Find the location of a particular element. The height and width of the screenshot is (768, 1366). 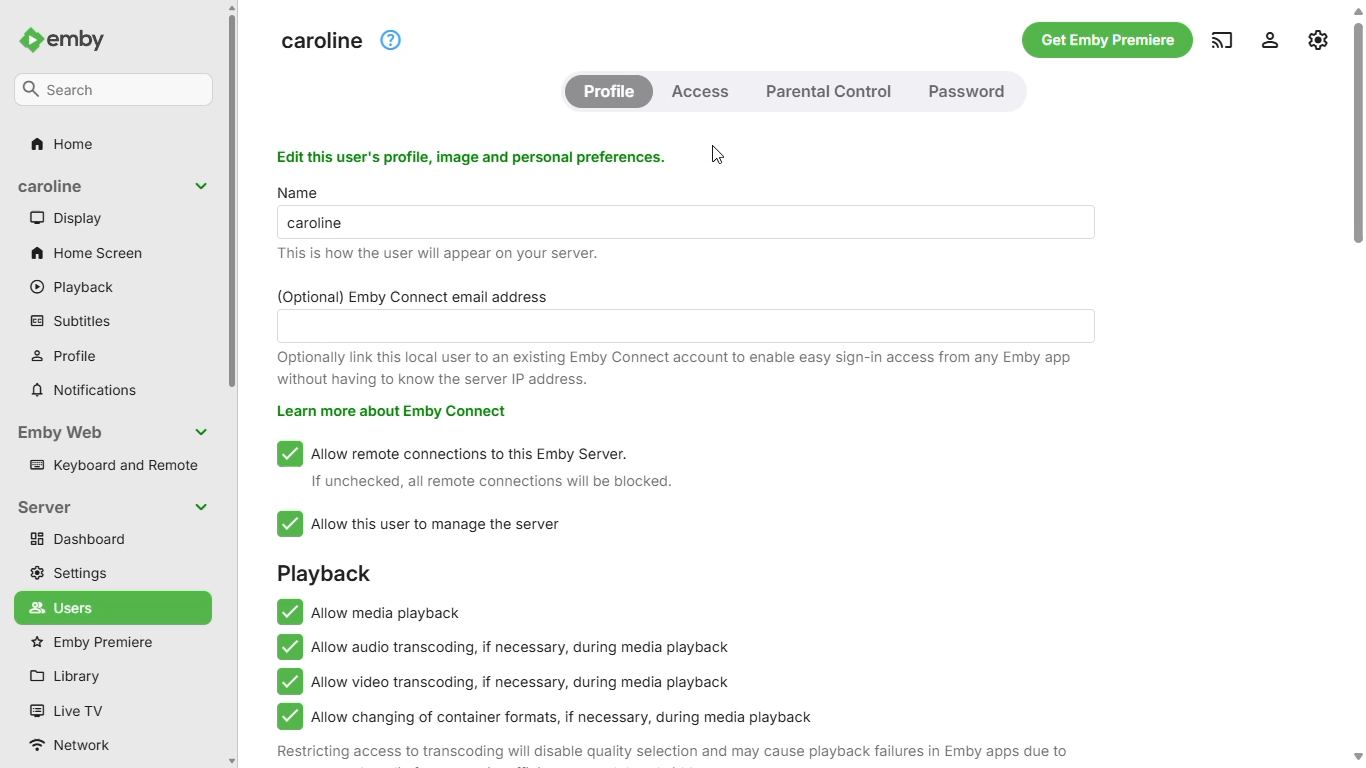

home screen is located at coordinates (87, 253).